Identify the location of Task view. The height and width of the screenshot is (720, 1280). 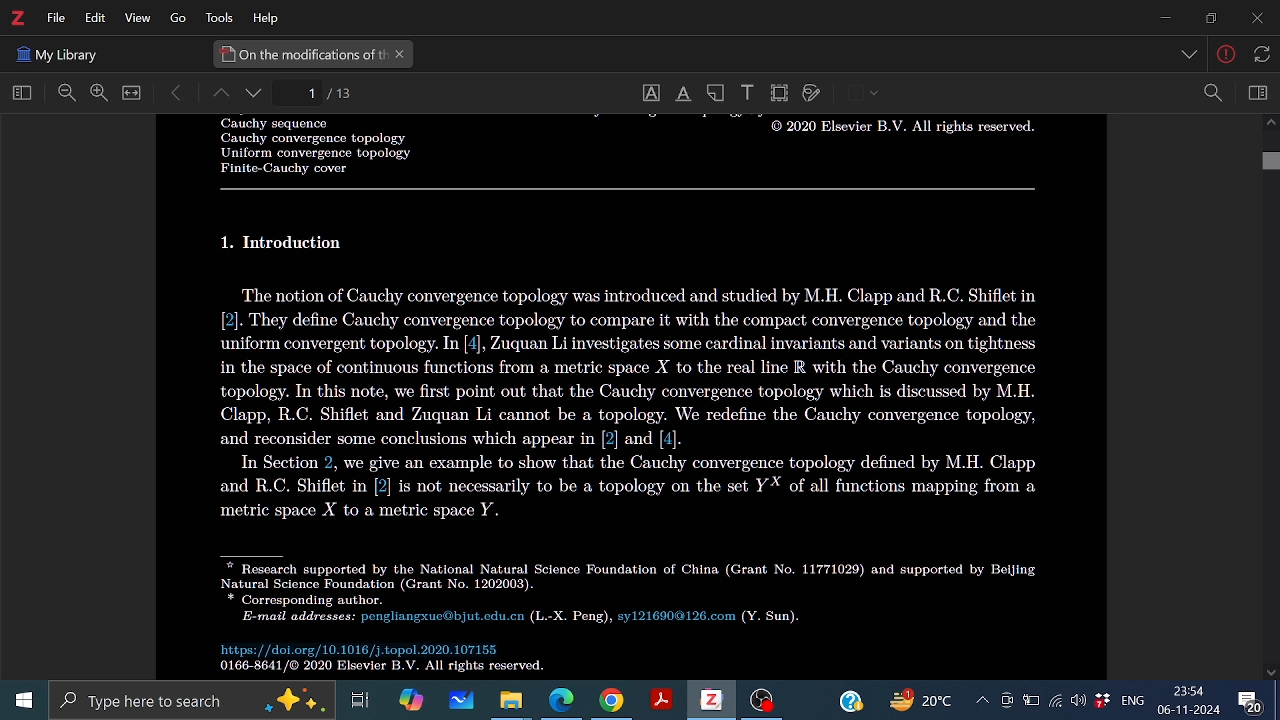
(361, 700).